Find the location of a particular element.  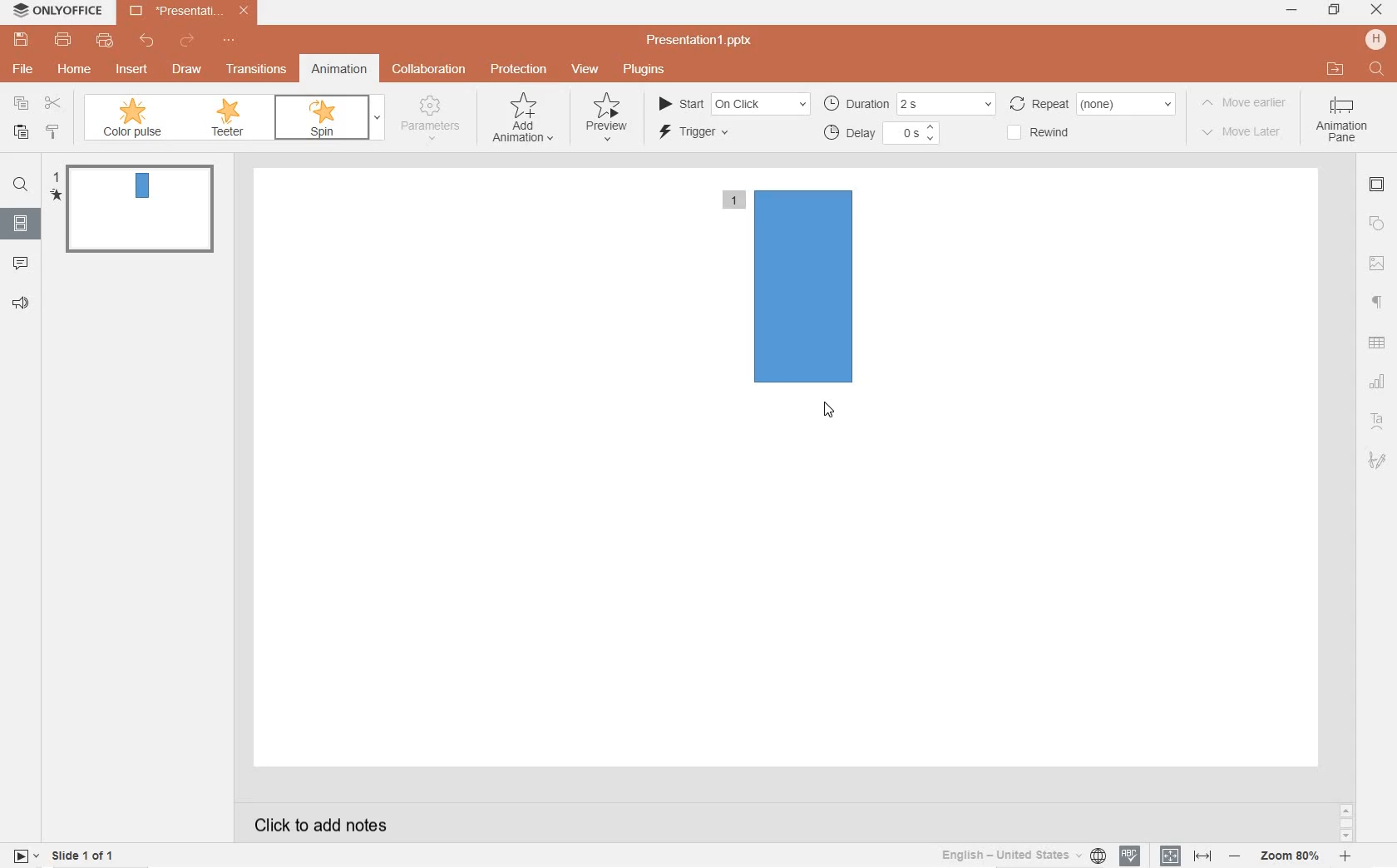

MINIMIZE is located at coordinates (1292, 12).